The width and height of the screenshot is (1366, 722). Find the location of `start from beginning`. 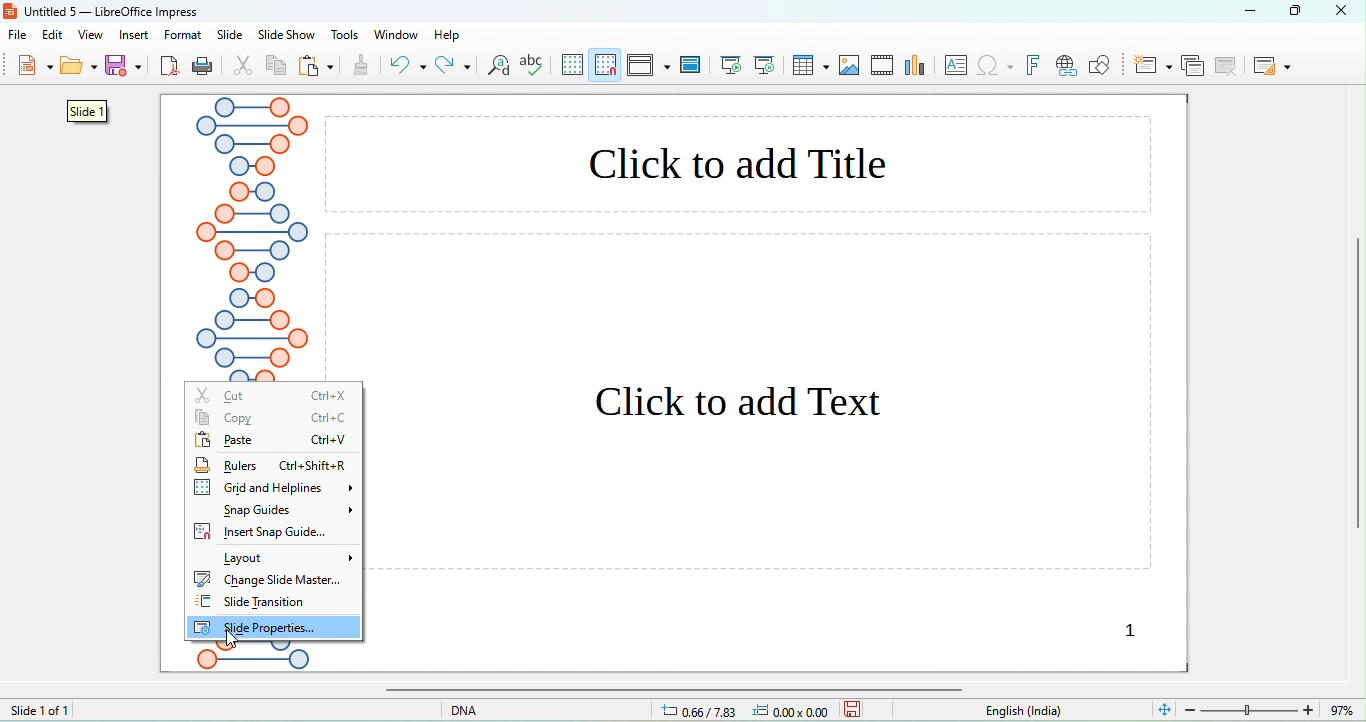

start from beginning is located at coordinates (732, 65).